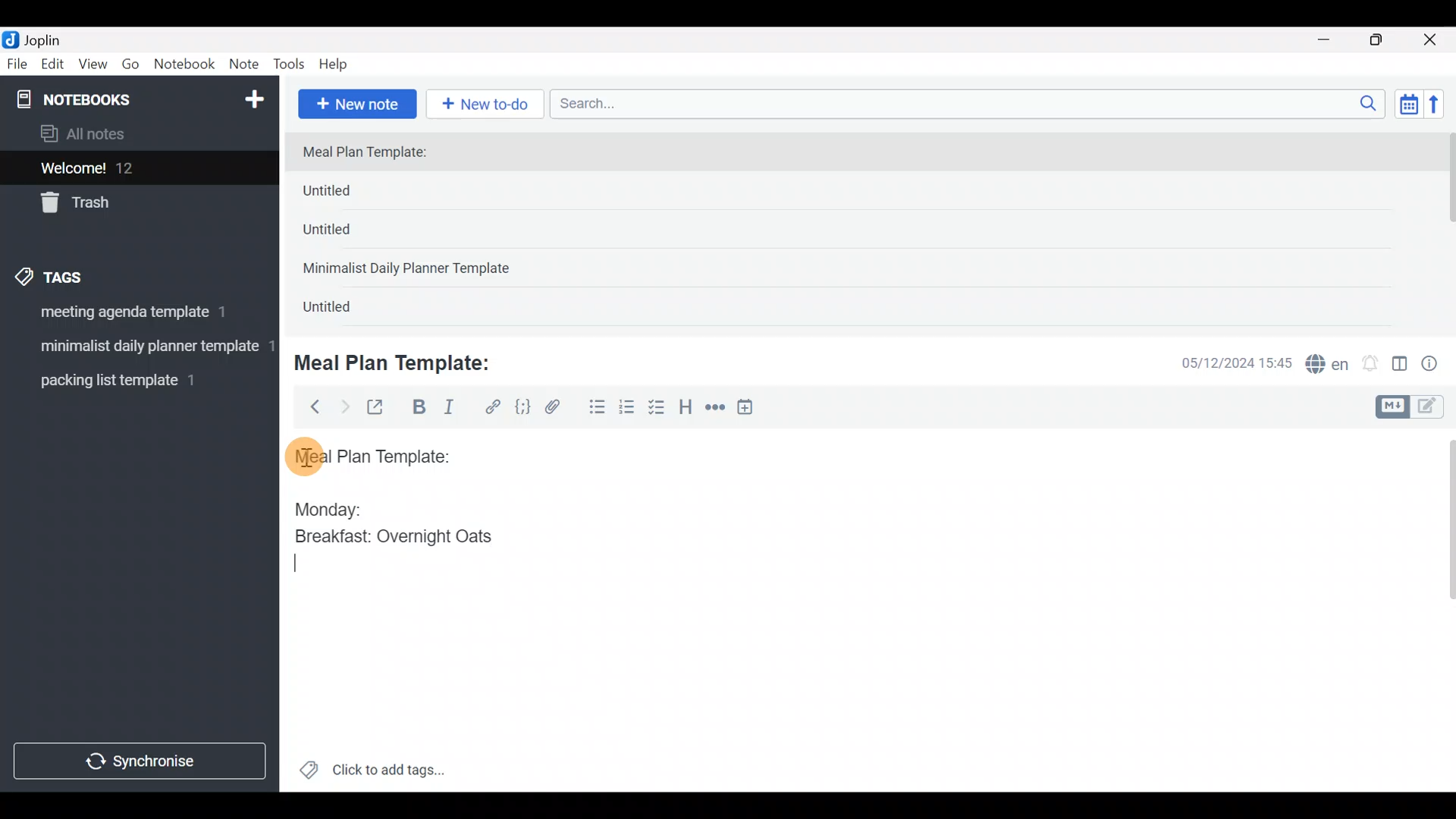 This screenshot has width=1456, height=819. Describe the element at coordinates (447, 410) in the screenshot. I see `Italic` at that location.